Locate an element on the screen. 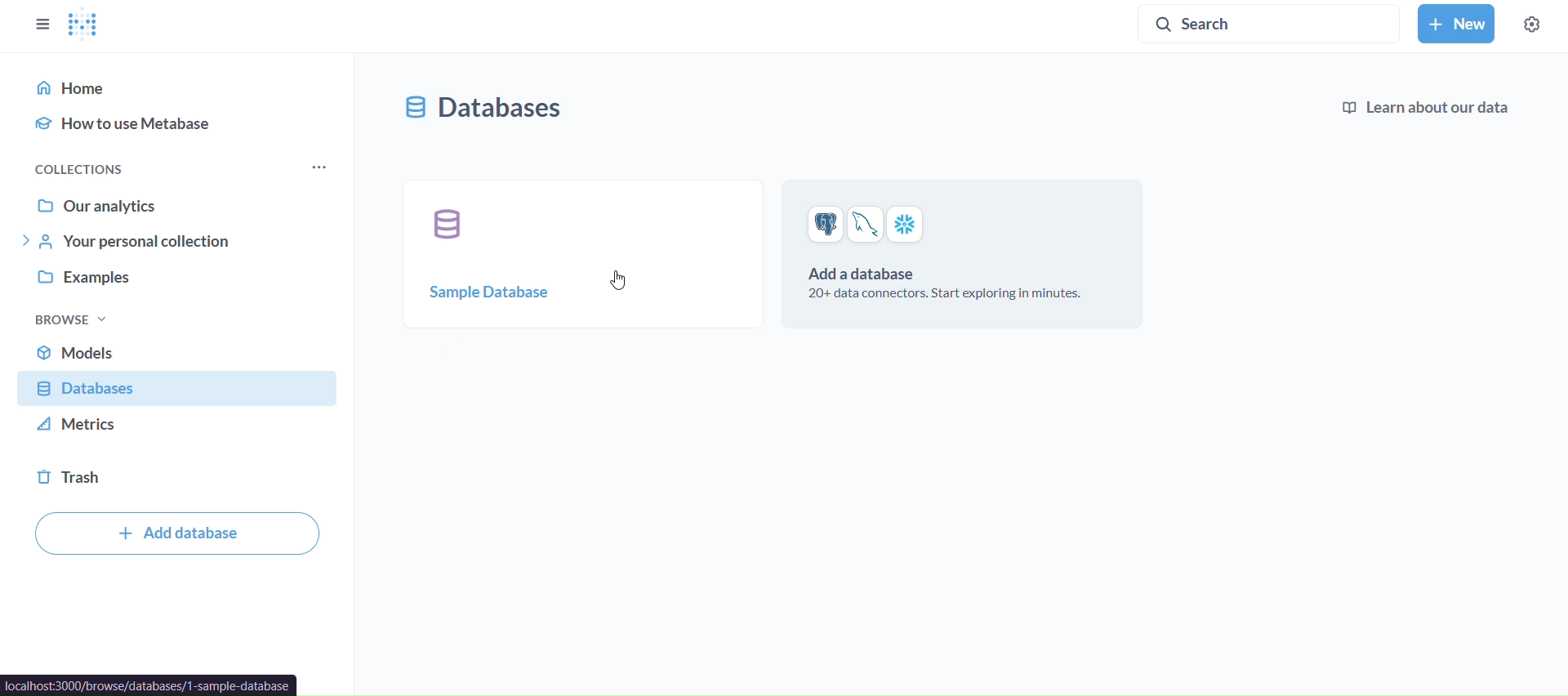 Image resolution: width=1568 pixels, height=696 pixels. our analytics is located at coordinates (177, 203).